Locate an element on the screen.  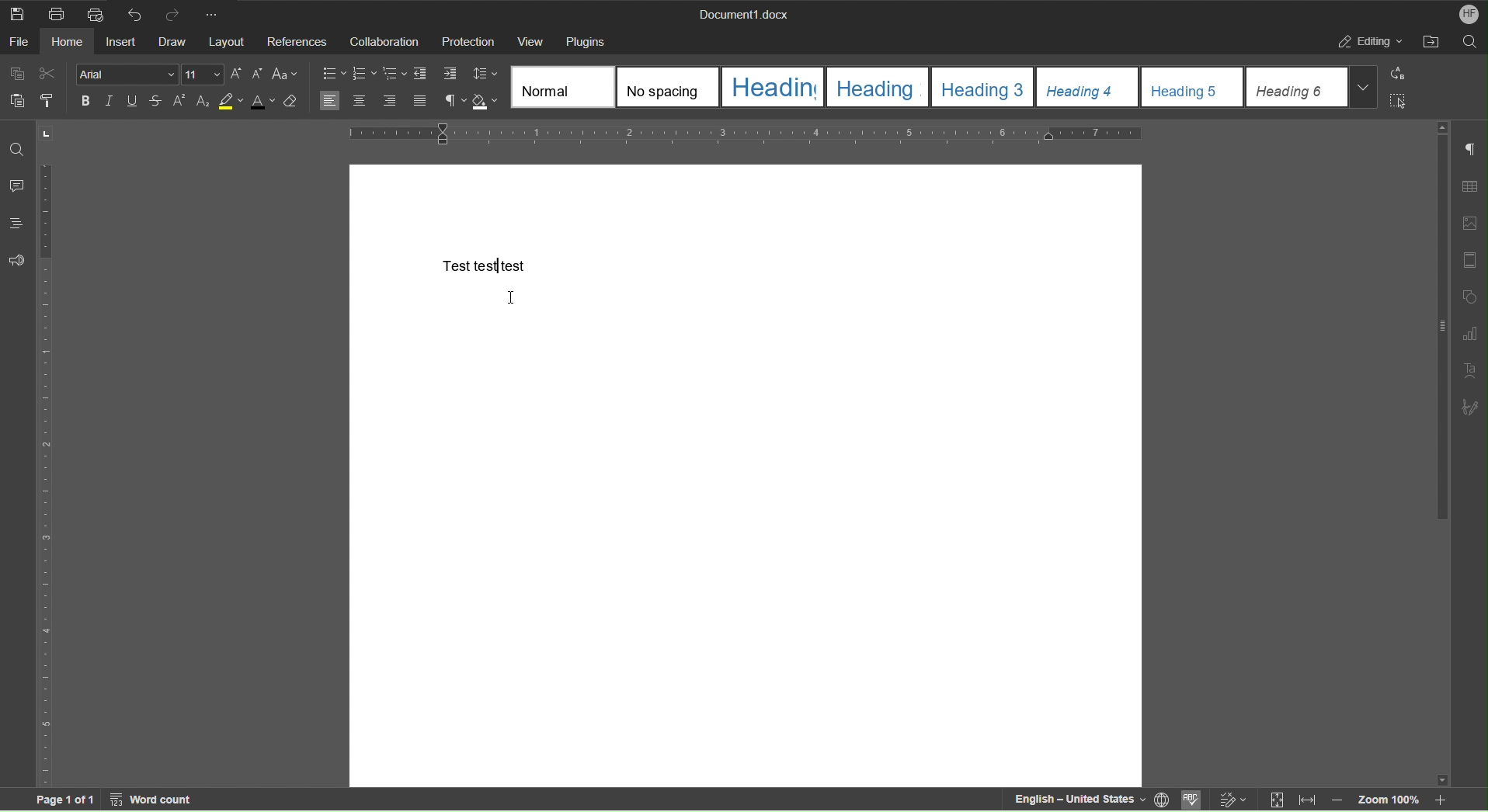
Text Art is located at coordinates (1469, 371).